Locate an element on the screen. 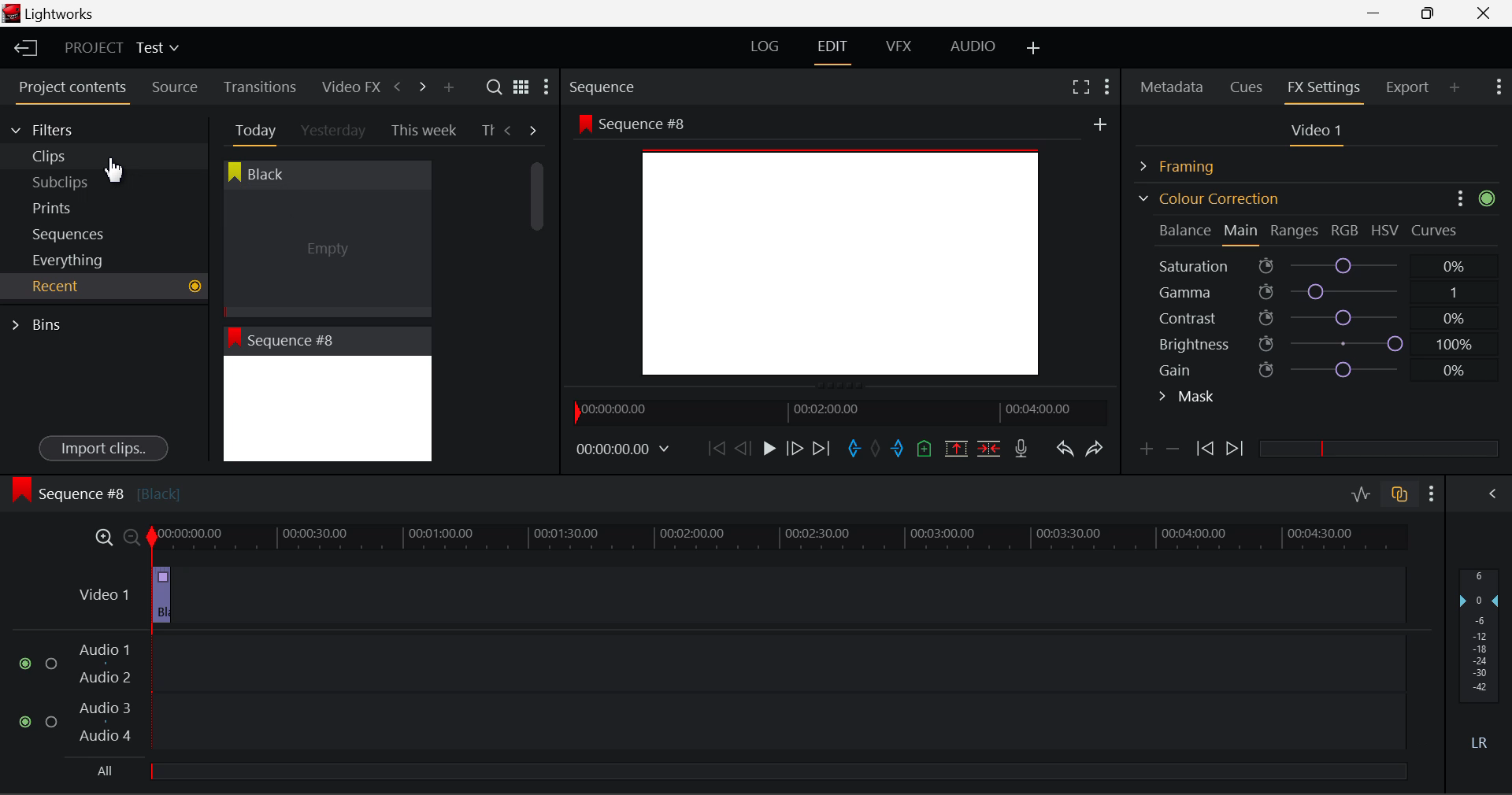  To Start is located at coordinates (715, 448).